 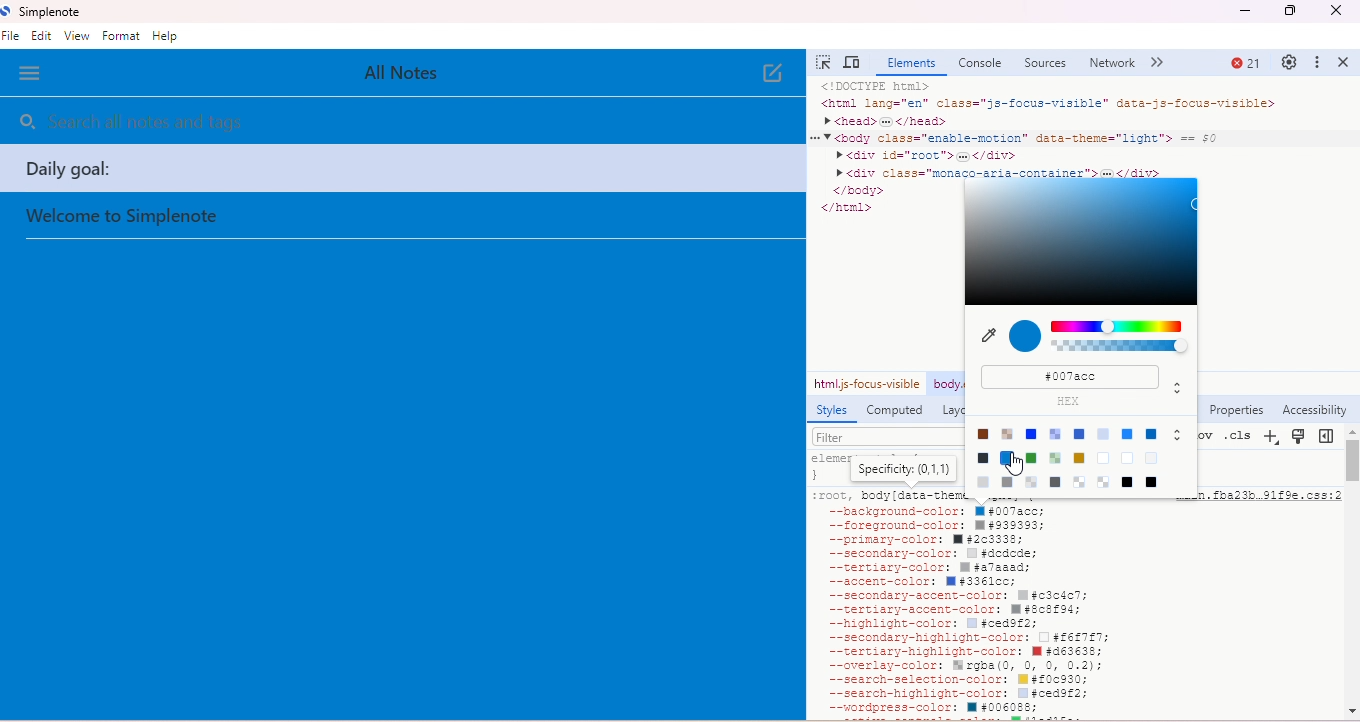 What do you see at coordinates (829, 412) in the screenshot?
I see `styles` at bounding box center [829, 412].